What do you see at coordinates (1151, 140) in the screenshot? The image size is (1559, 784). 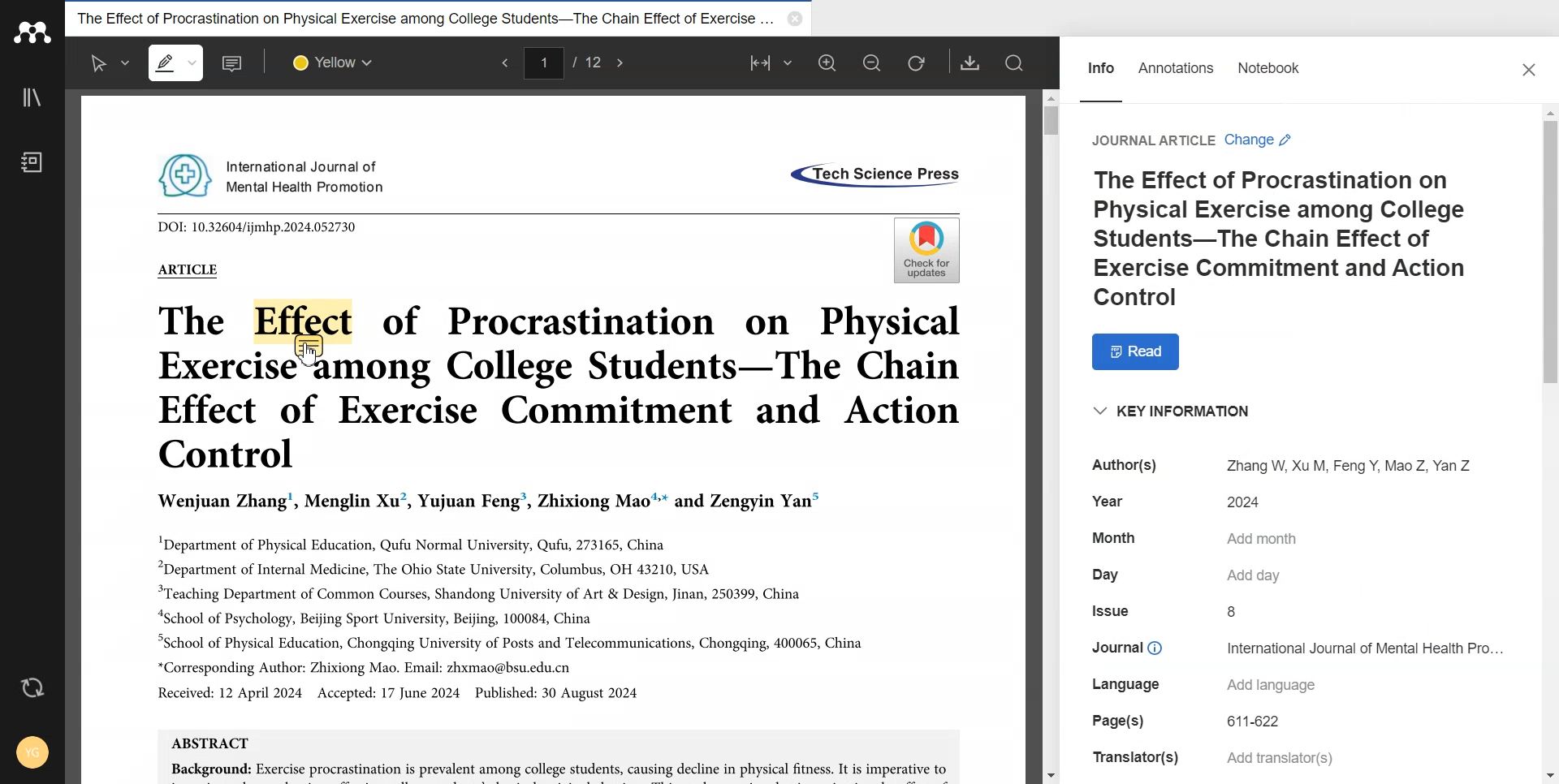 I see `Journal Article` at bounding box center [1151, 140].